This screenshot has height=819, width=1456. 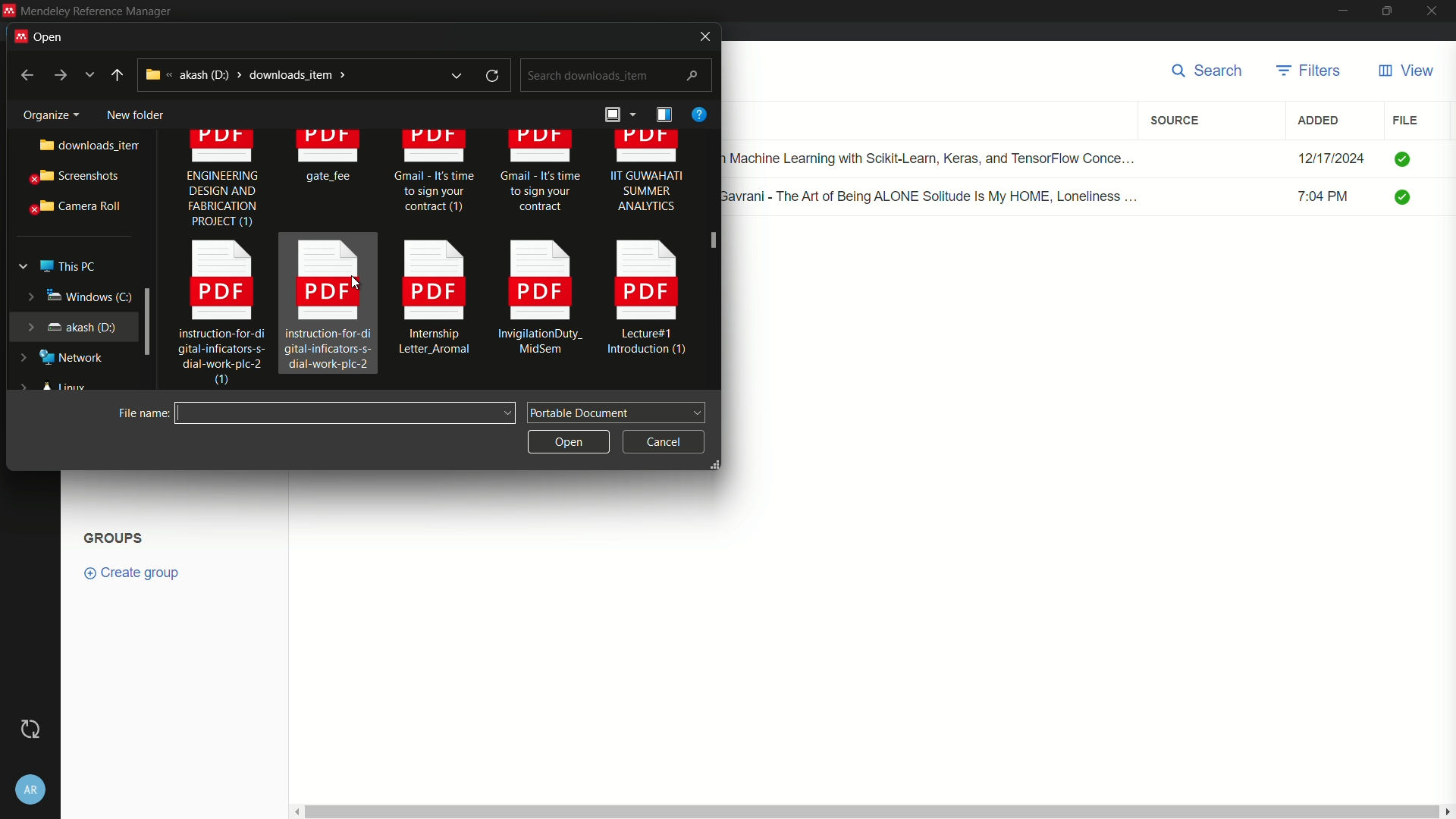 What do you see at coordinates (1310, 71) in the screenshot?
I see `filters` at bounding box center [1310, 71].